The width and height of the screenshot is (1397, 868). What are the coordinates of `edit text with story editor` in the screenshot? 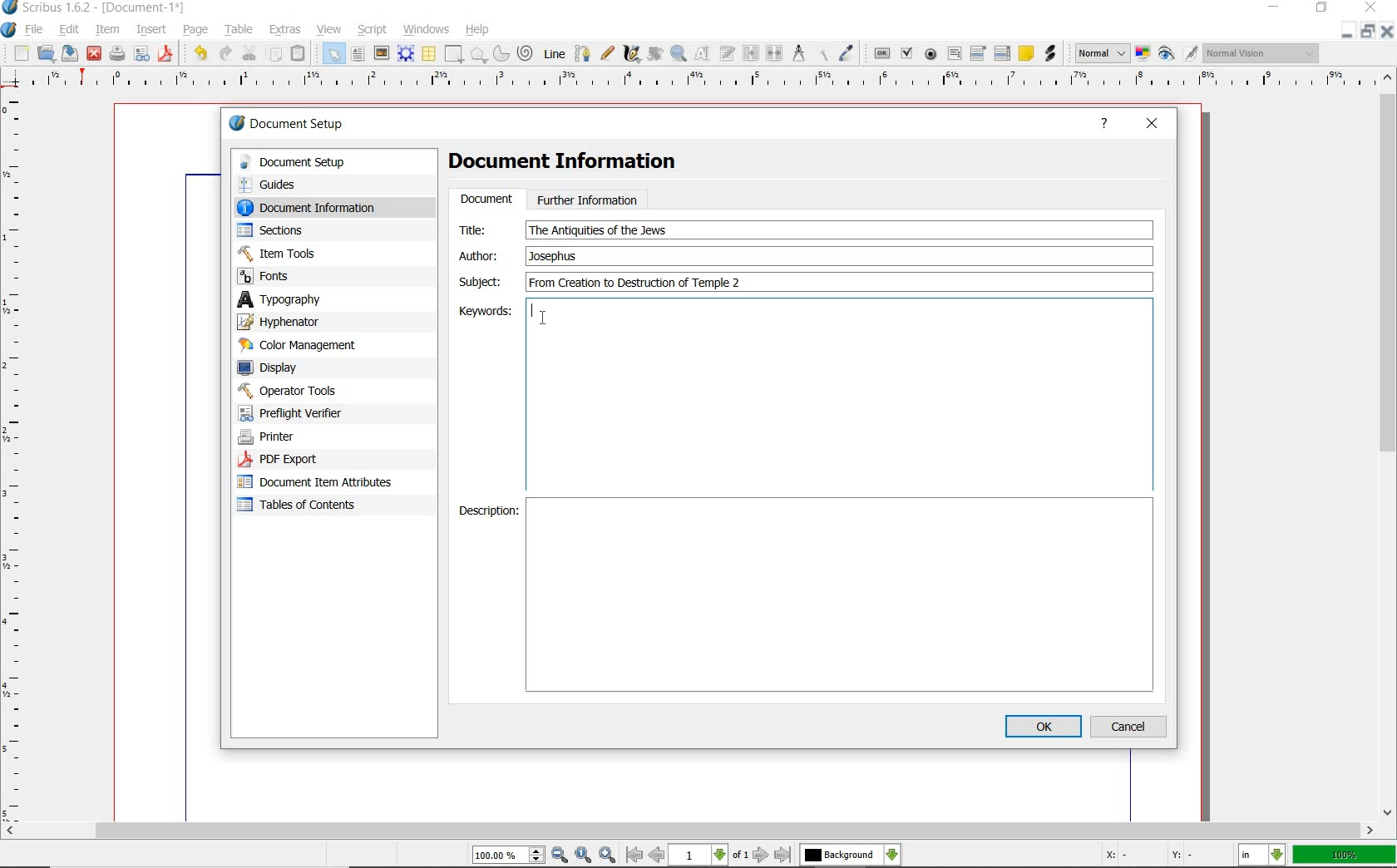 It's located at (728, 55).